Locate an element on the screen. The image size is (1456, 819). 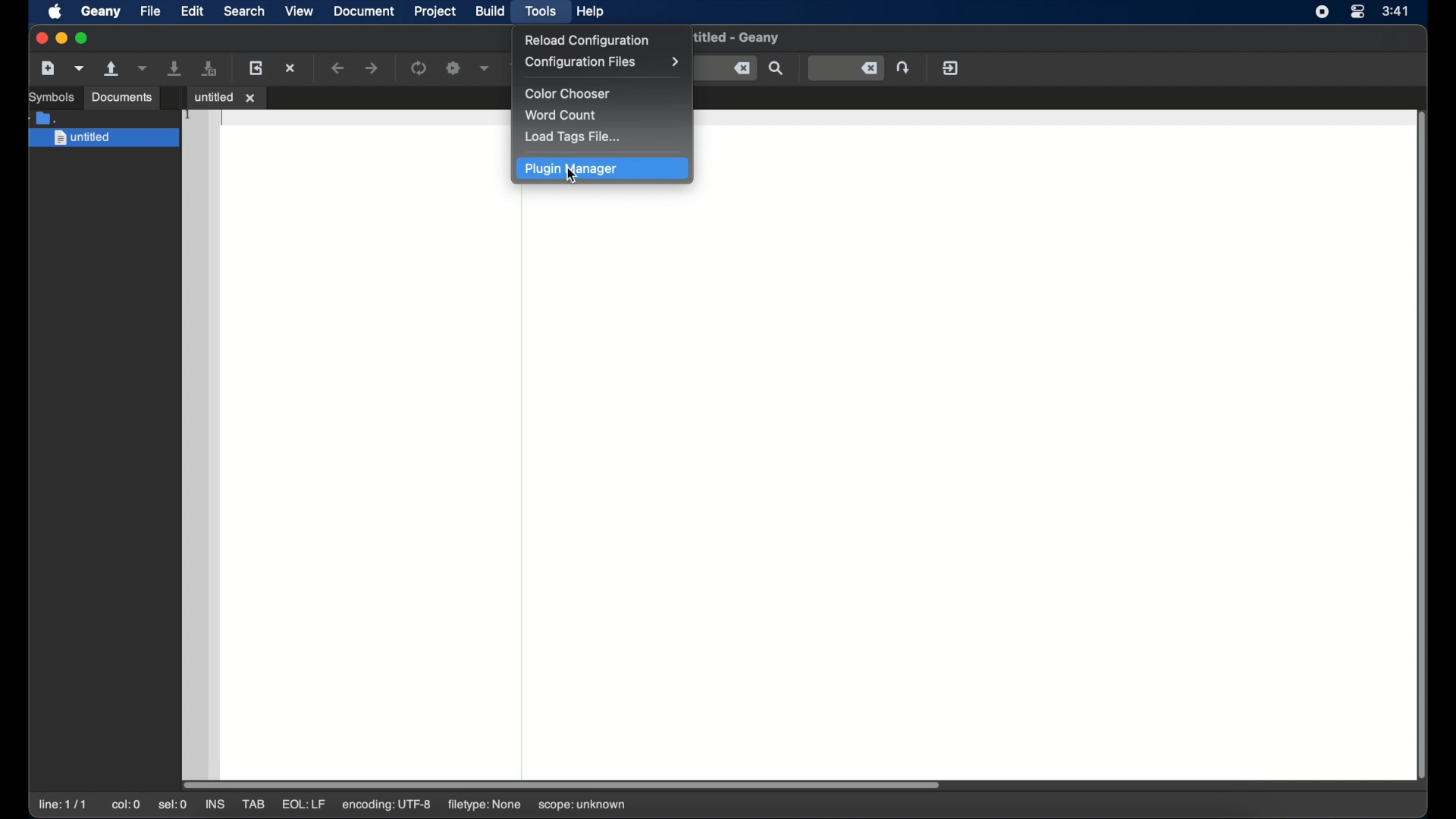
build is located at coordinates (491, 11).